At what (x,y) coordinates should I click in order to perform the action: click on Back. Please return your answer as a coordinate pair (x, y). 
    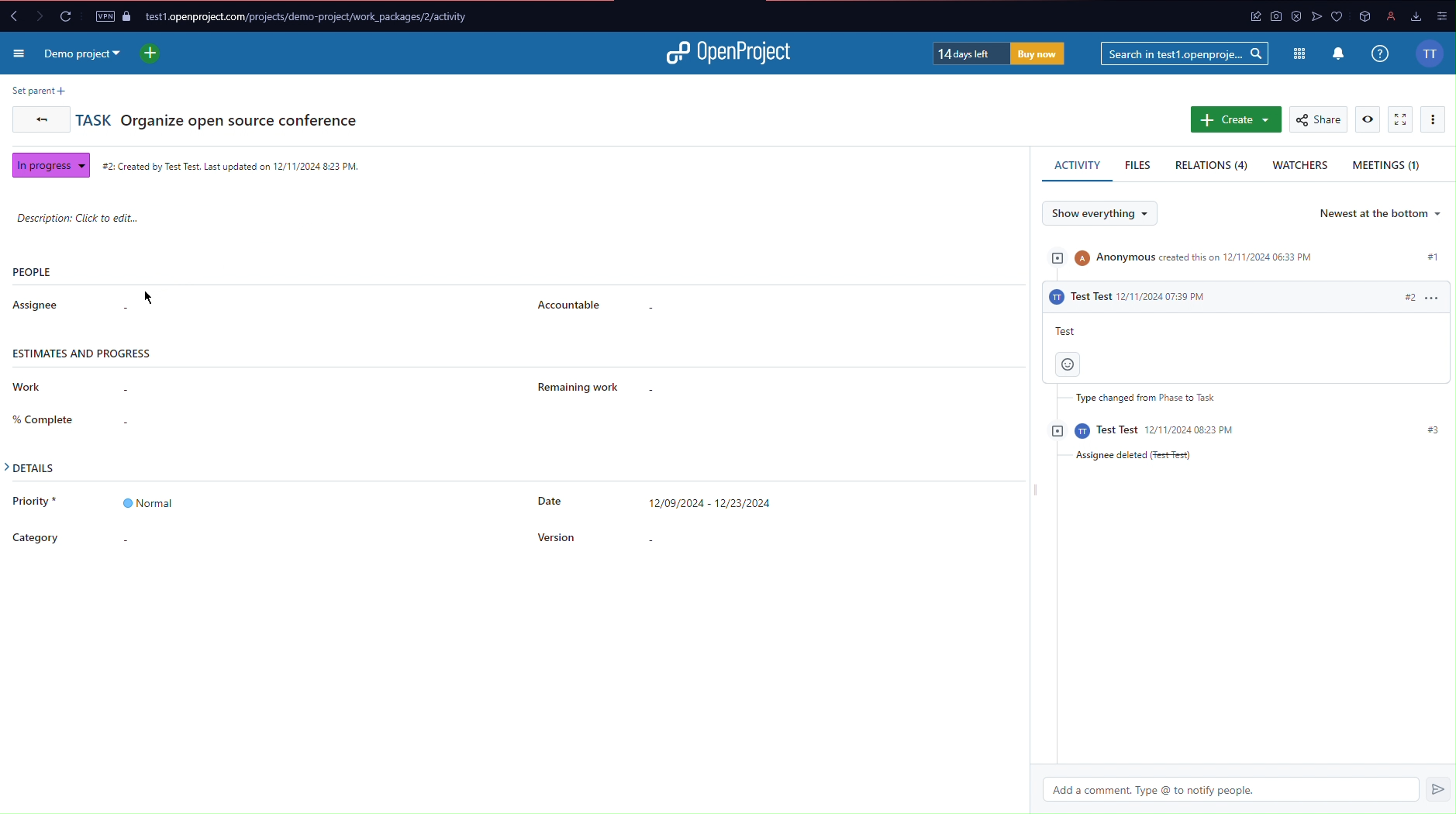
    Looking at the image, I should click on (35, 118).